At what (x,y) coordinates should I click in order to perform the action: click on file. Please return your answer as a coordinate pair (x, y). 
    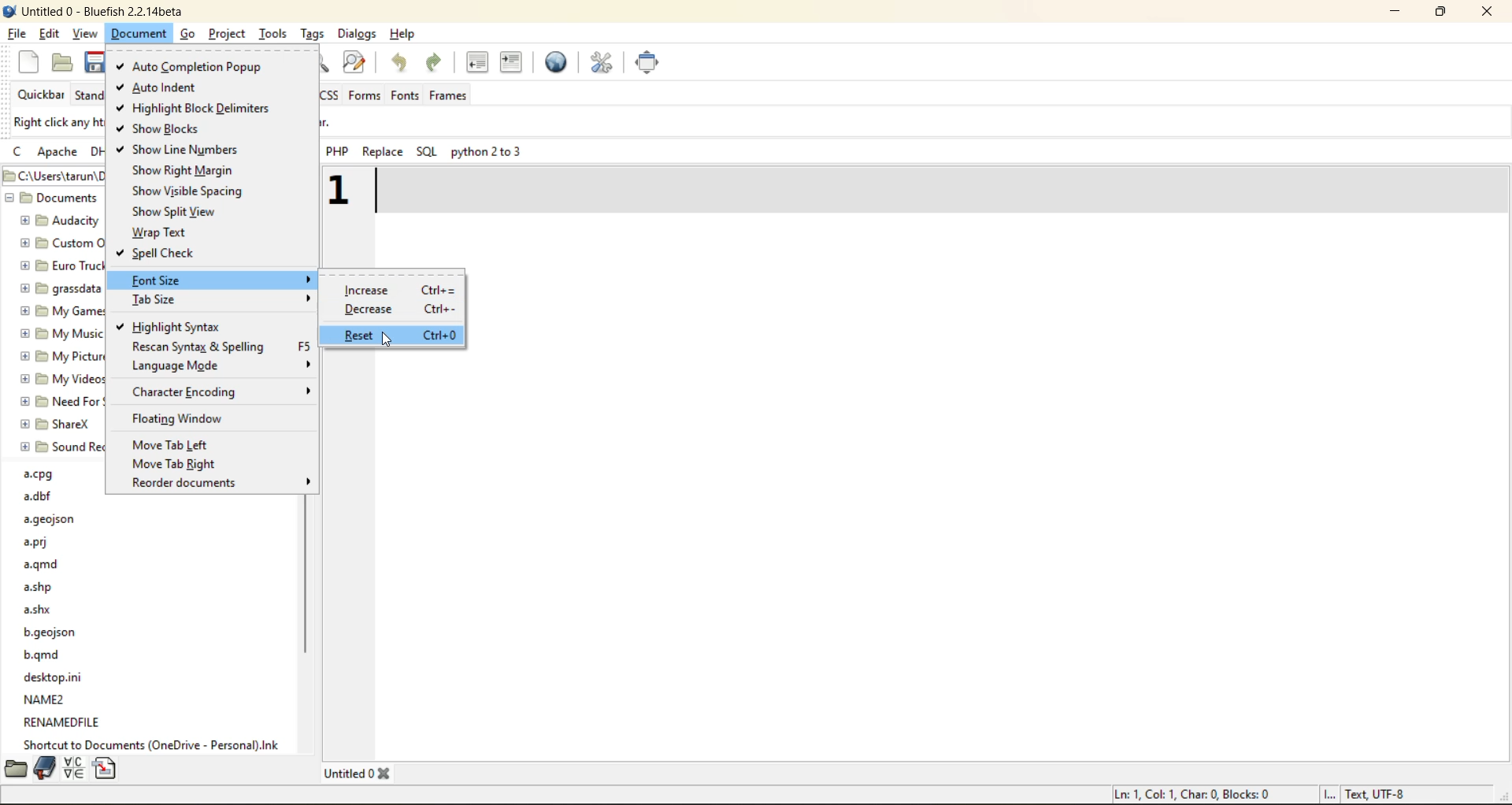
    Looking at the image, I should click on (16, 33).